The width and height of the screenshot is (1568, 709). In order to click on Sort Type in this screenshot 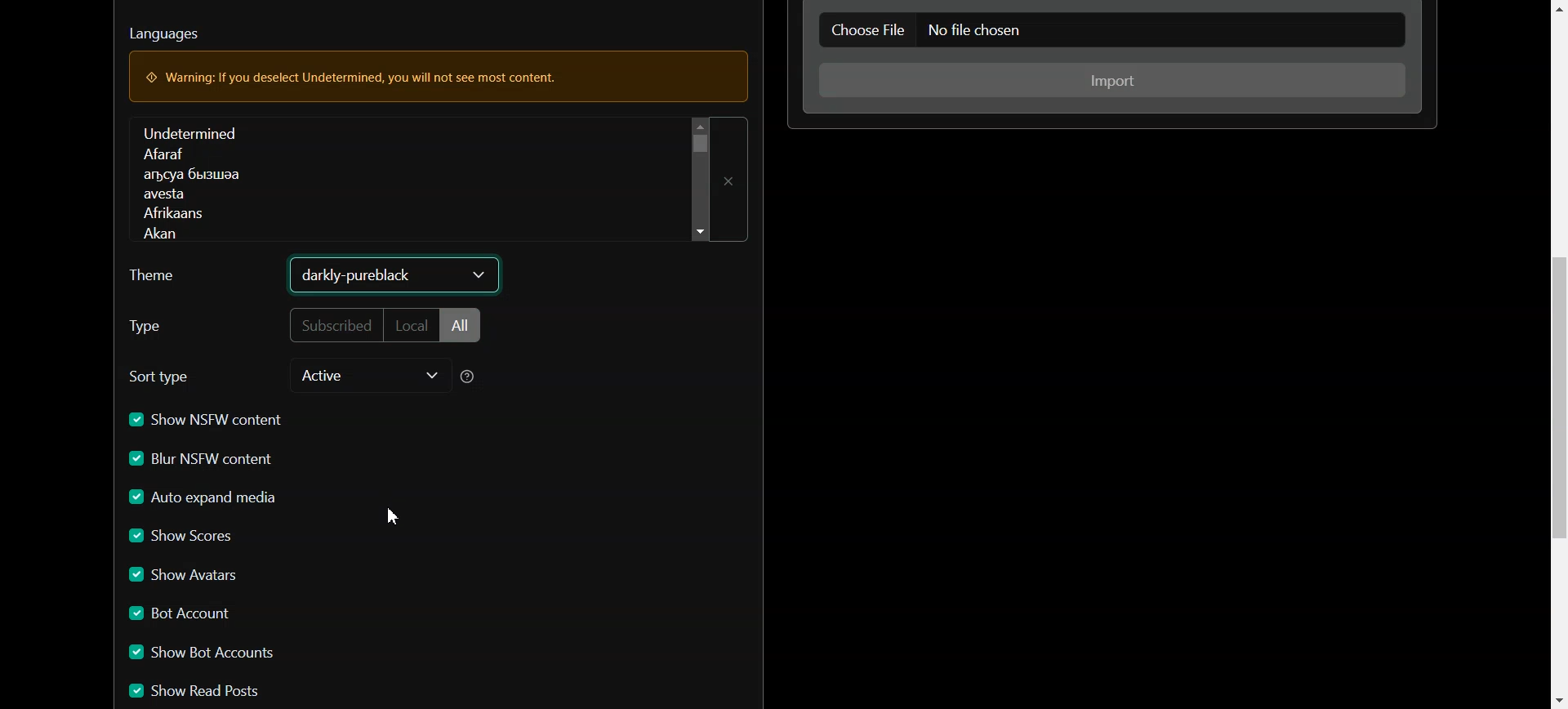, I will do `click(165, 377)`.